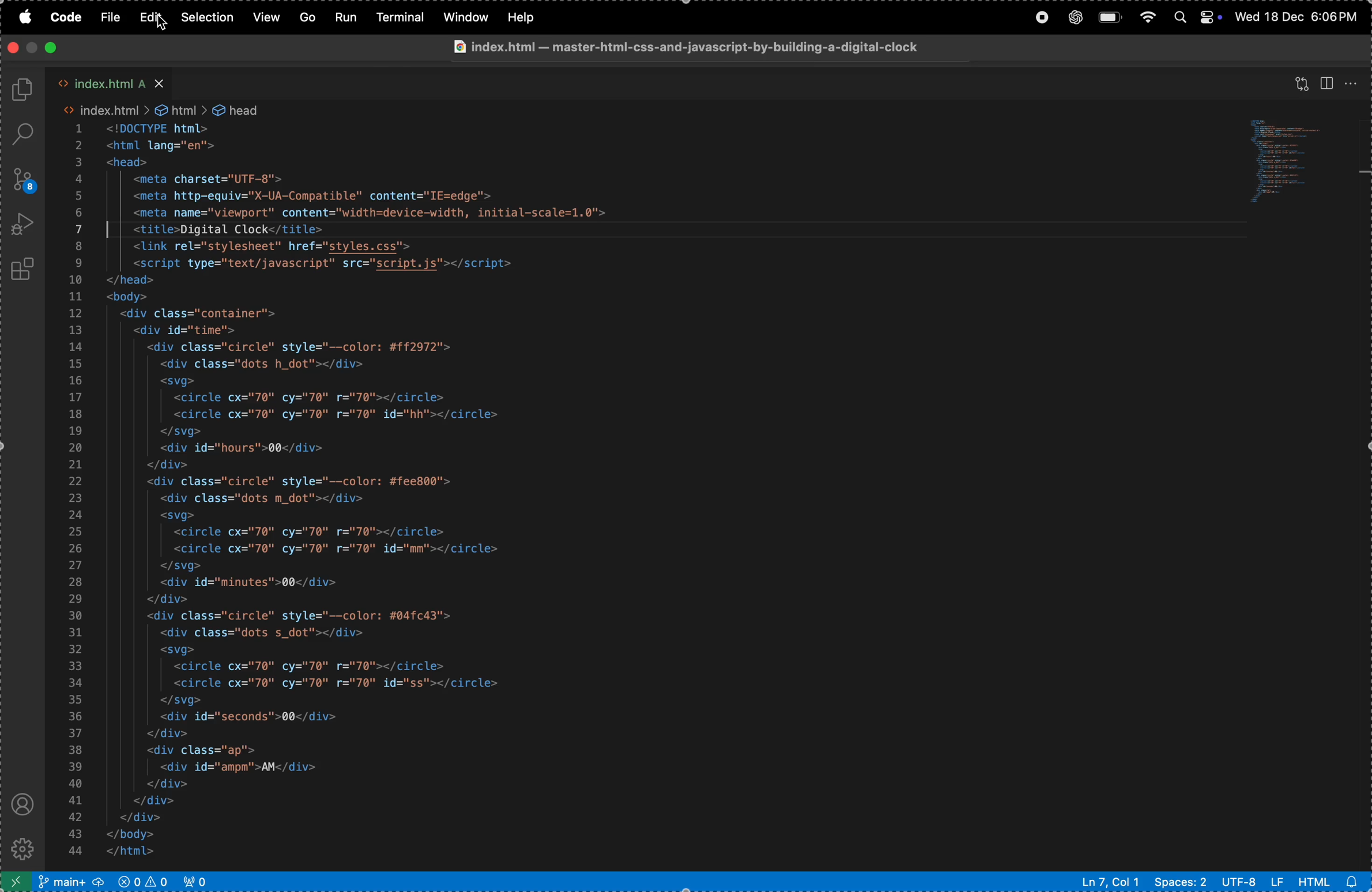  Describe the element at coordinates (346, 17) in the screenshot. I see `run` at that location.